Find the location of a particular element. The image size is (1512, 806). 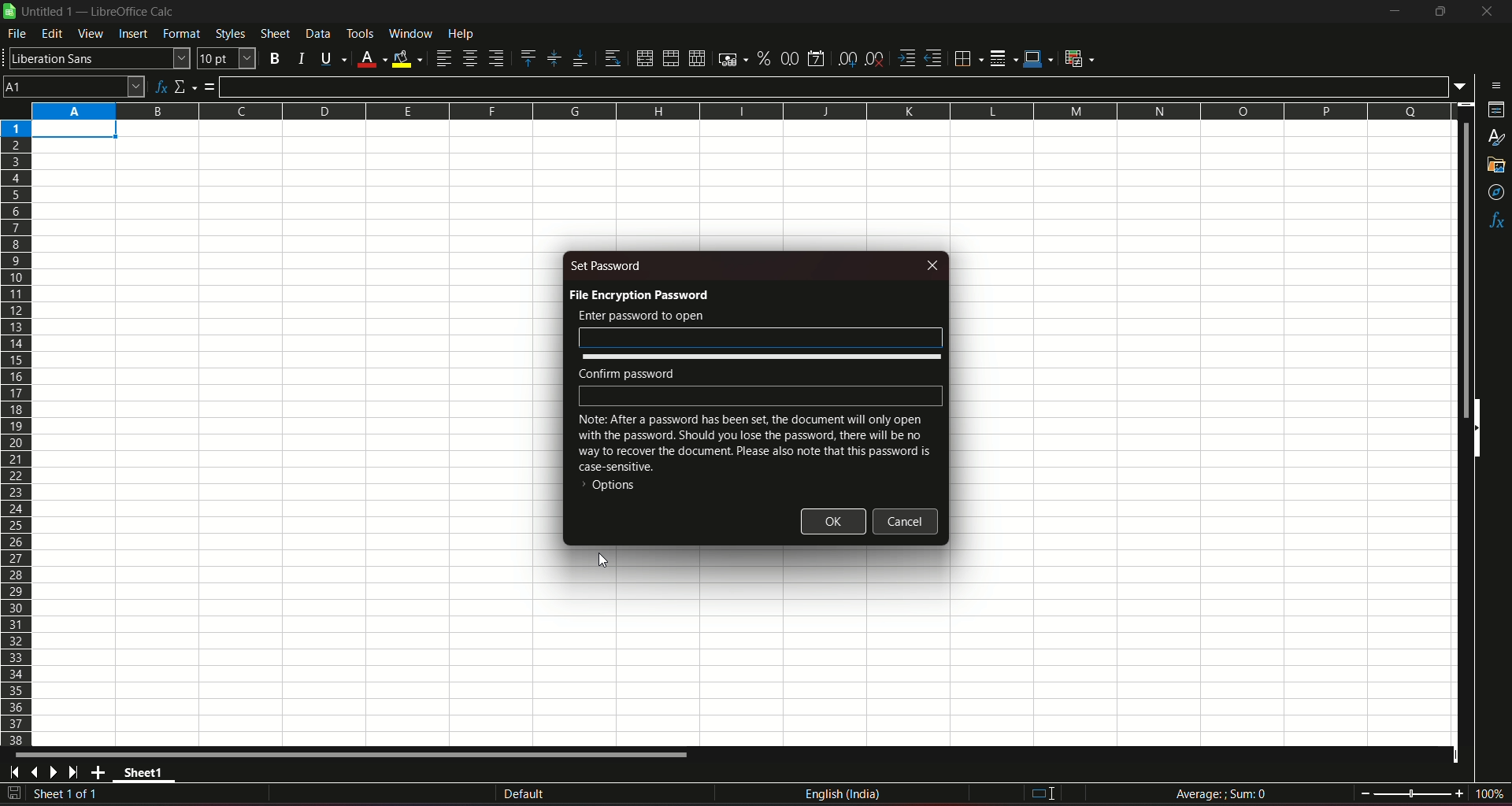

align center is located at coordinates (469, 59).